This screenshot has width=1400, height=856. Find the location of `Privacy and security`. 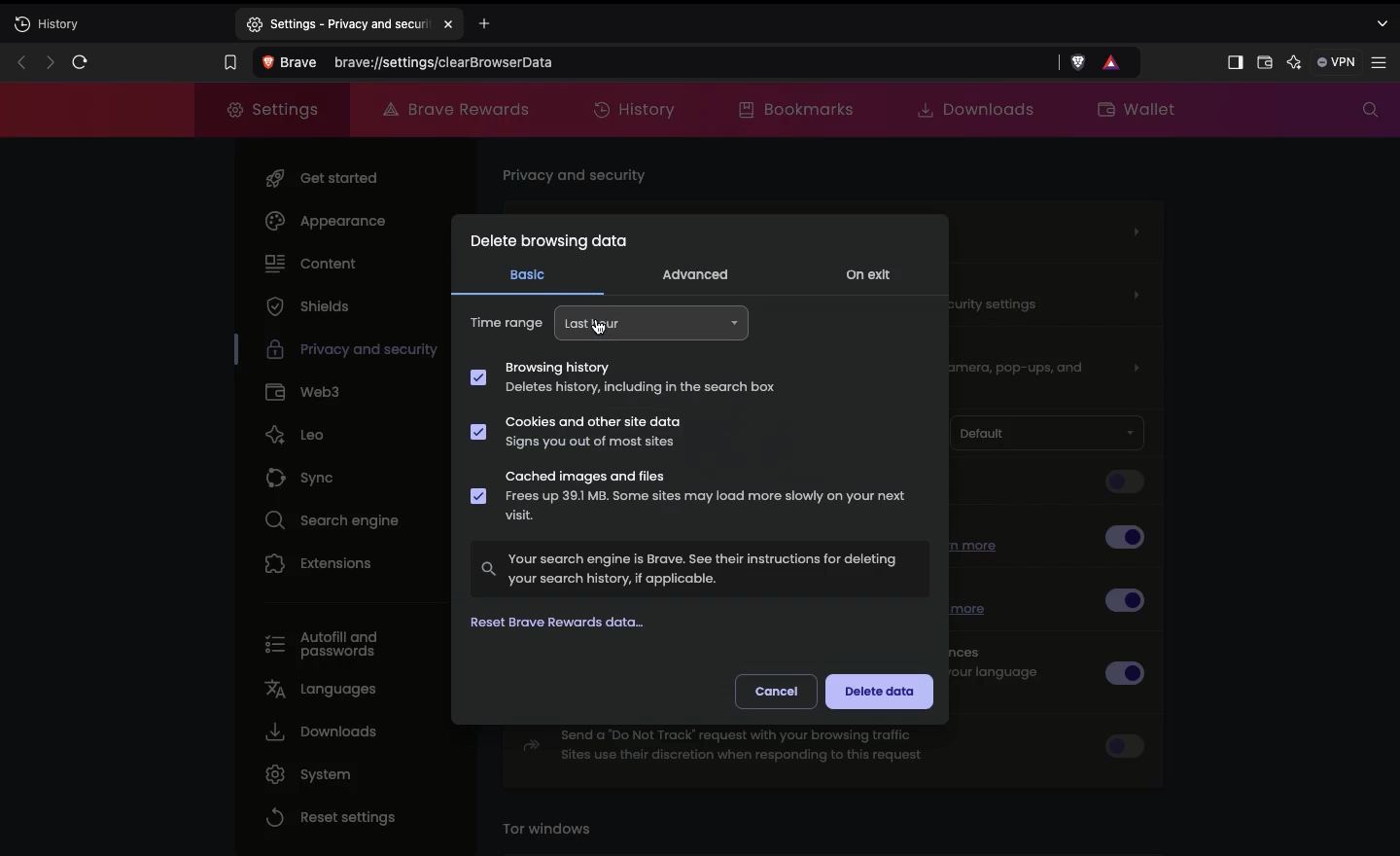

Privacy and security is located at coordinates (335, 352).